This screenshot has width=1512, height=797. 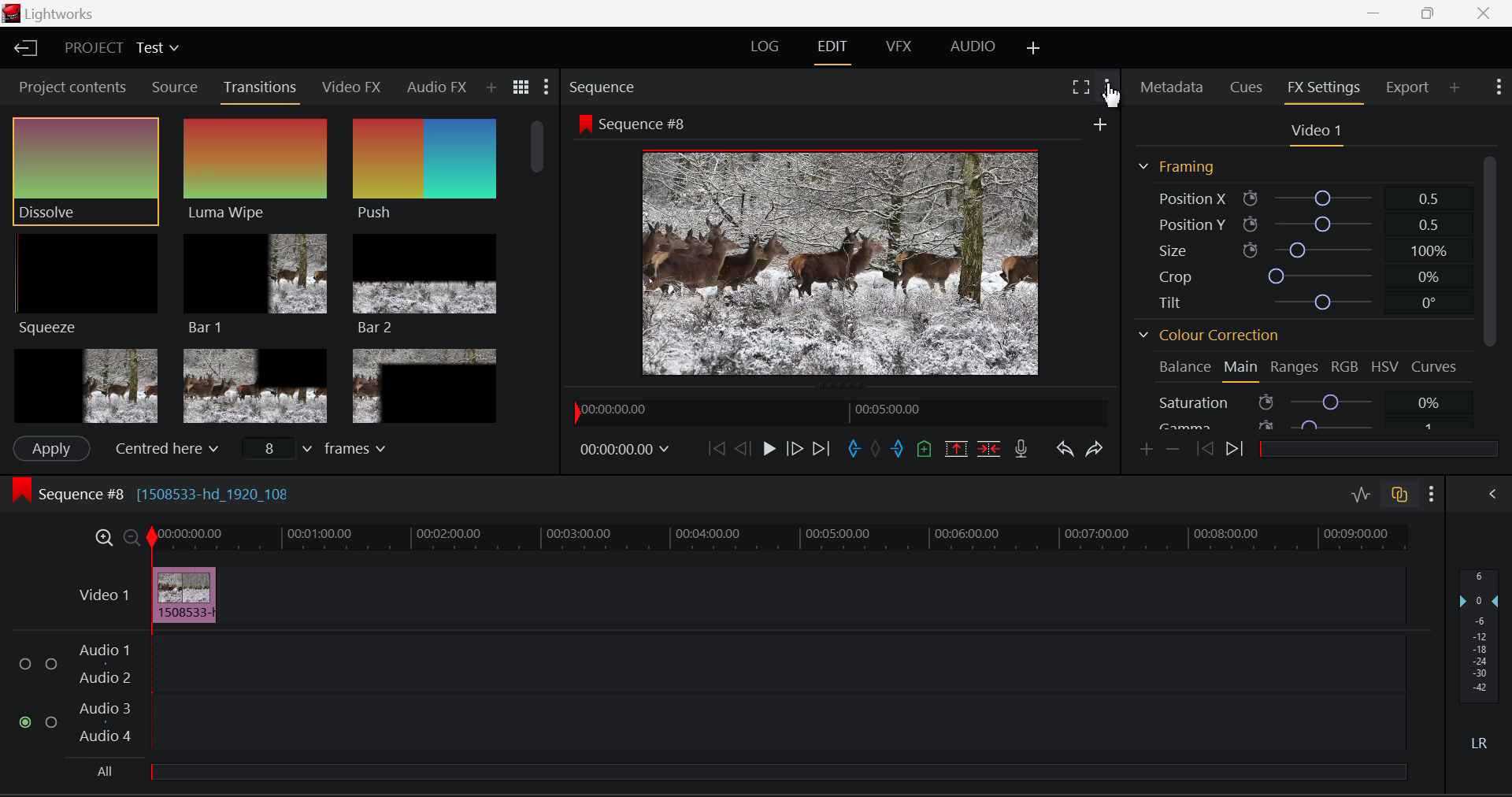 I want to click on Main, so click(x=1243, y=370).